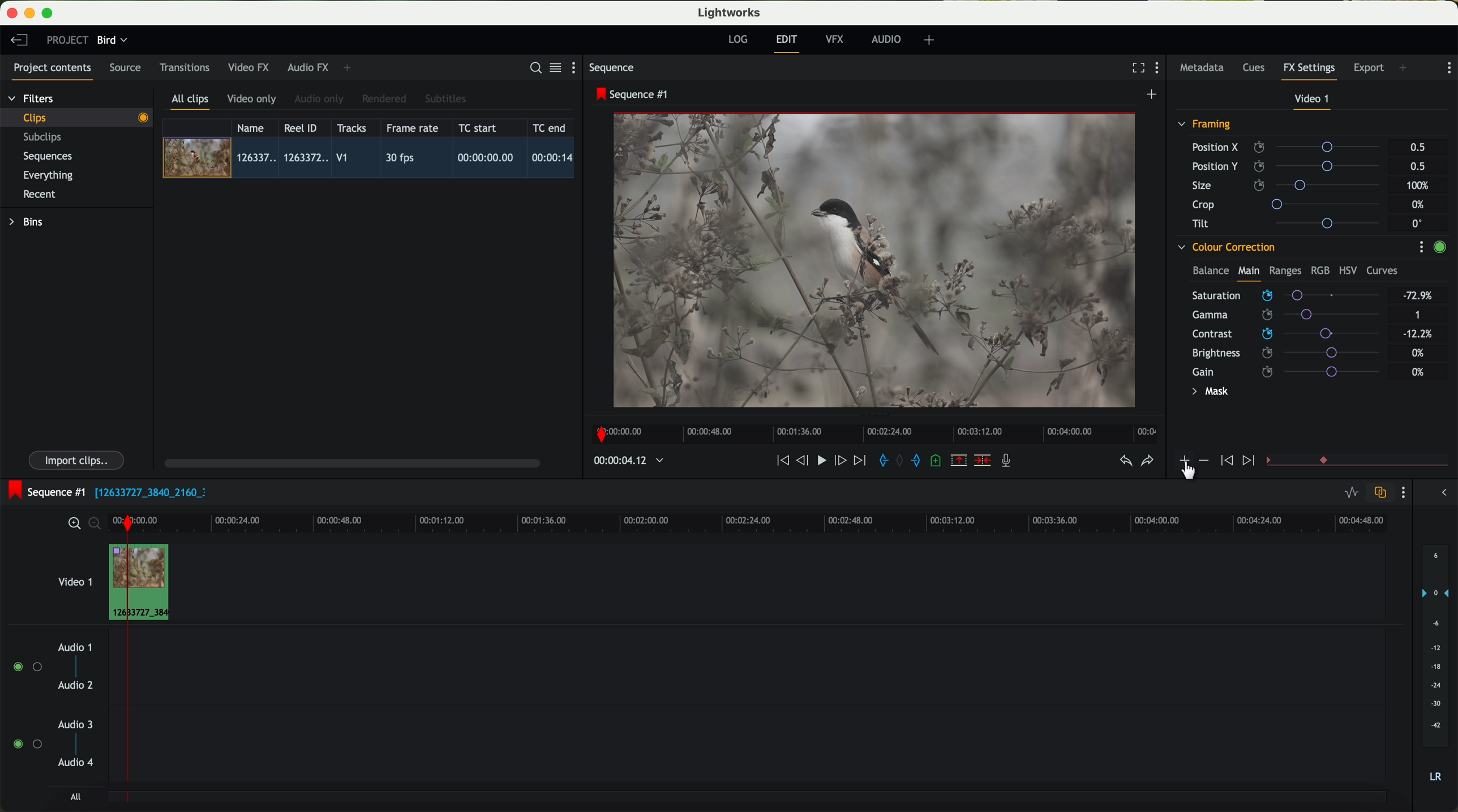 The width and height of the screenshot is (1458, 812). Describe the element at coordinates (1280, 315) in the screenshot. I see `click on saturation` at that location.